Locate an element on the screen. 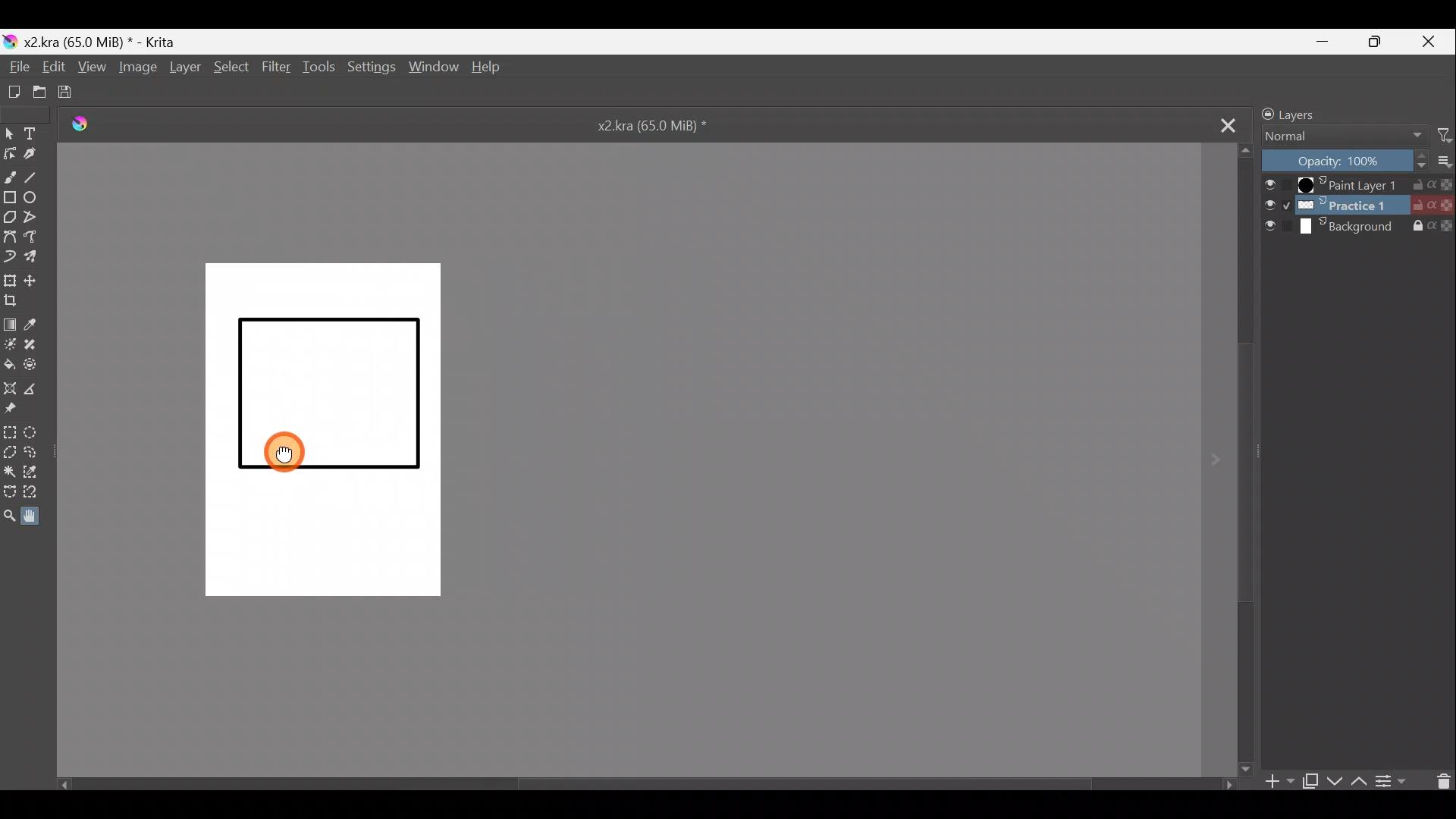 The width and height of the screenshot is (1456, 819). Bezier curve selection tool is located at coordinates (11, 494).